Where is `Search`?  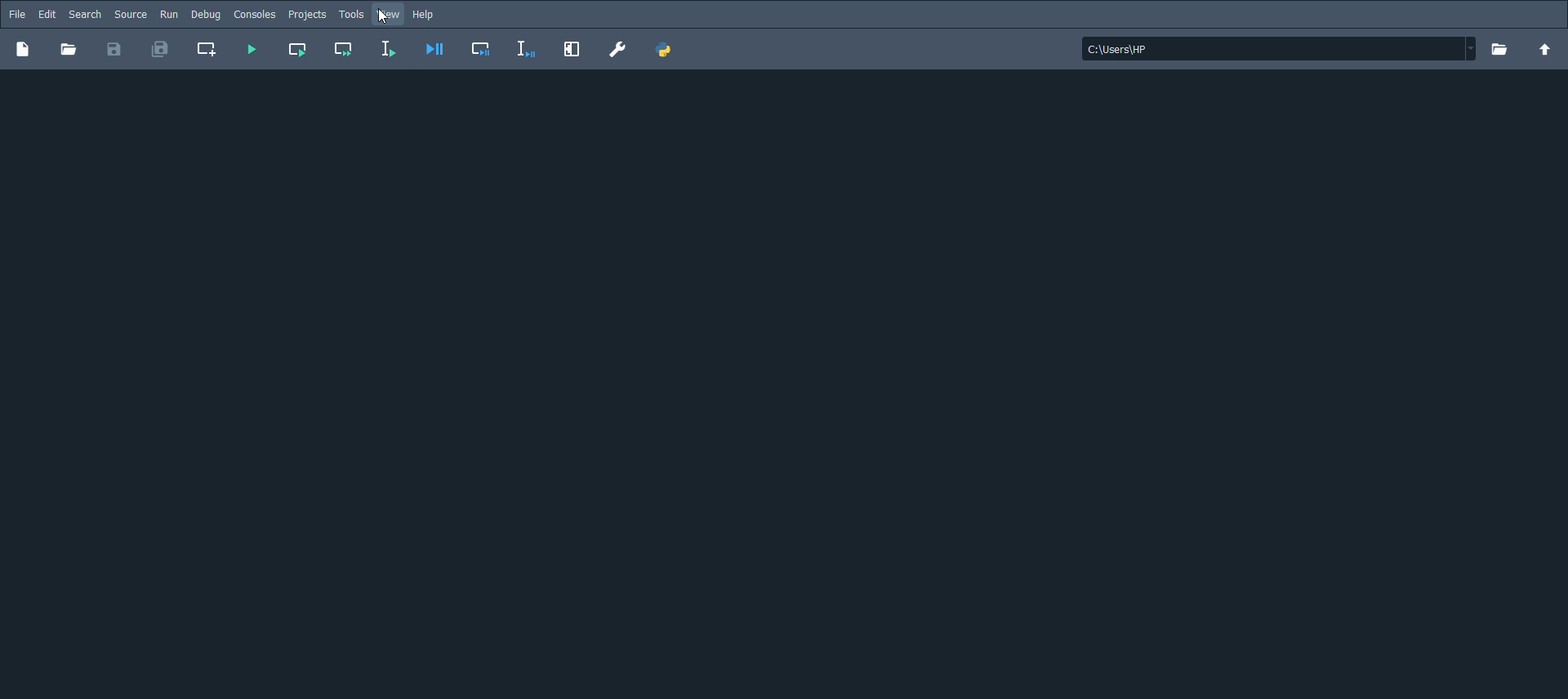
Search is located at coordinates (84, 14).